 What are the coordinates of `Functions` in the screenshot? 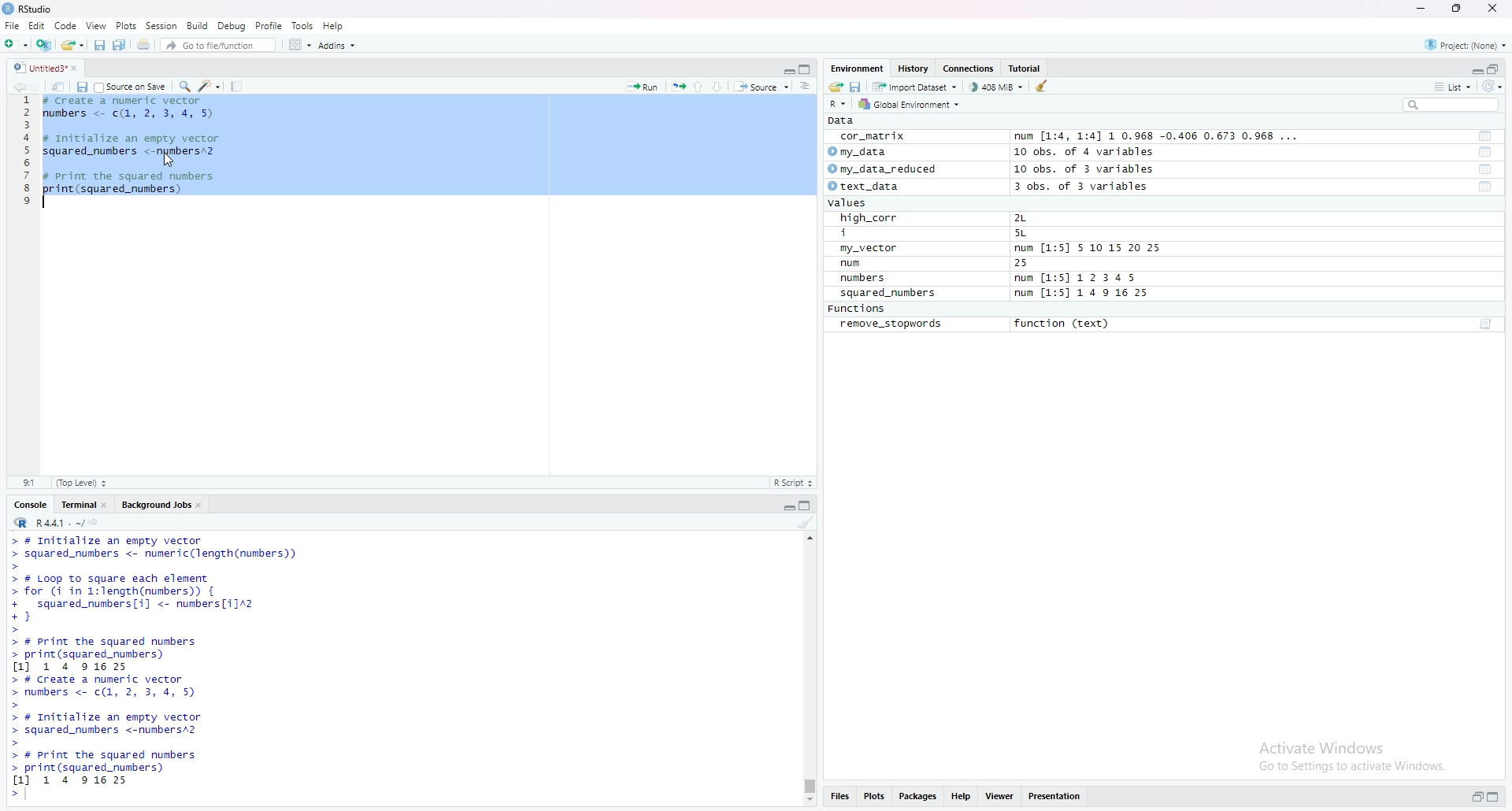 It's located at (859, 309).